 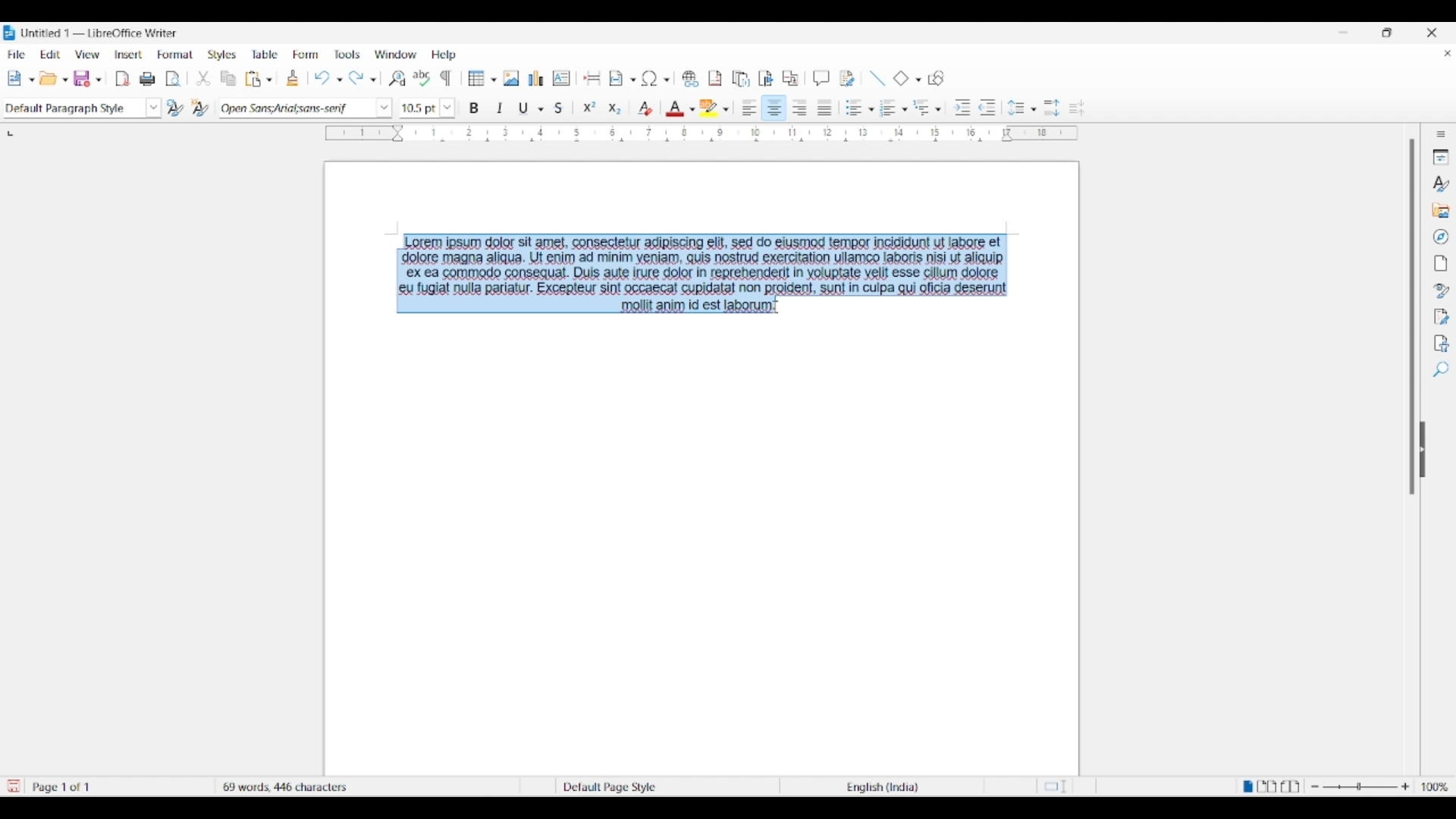 What do you see at coordinates (339, 80) in the screenshot?
I see `Undo specific action` at bounding box center [339, 80].